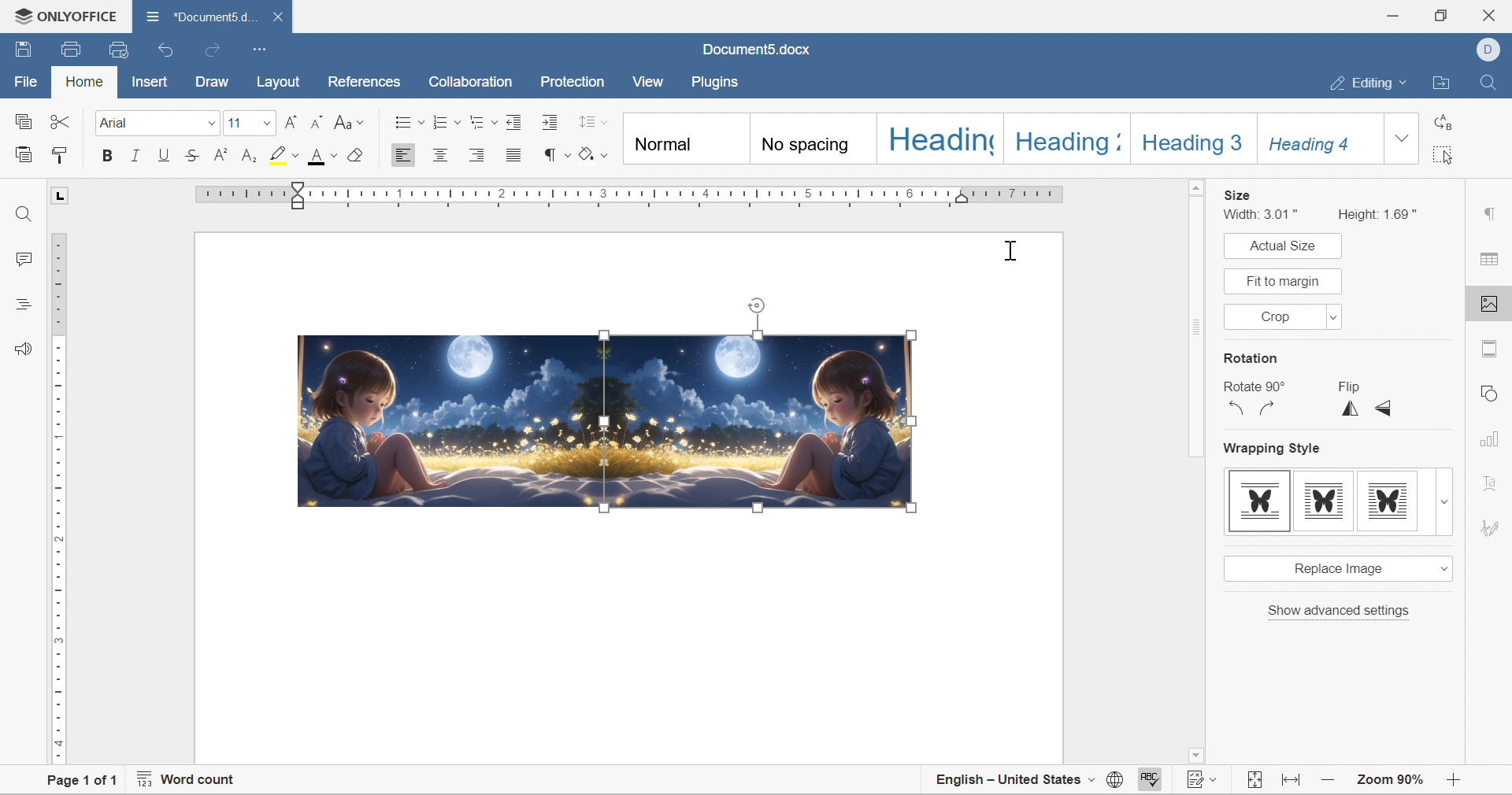 The height and width of the screenshot is (795, 1512). Describe the element at coordinates (634, 197) in the screenshot. I see `ruler` at that location.